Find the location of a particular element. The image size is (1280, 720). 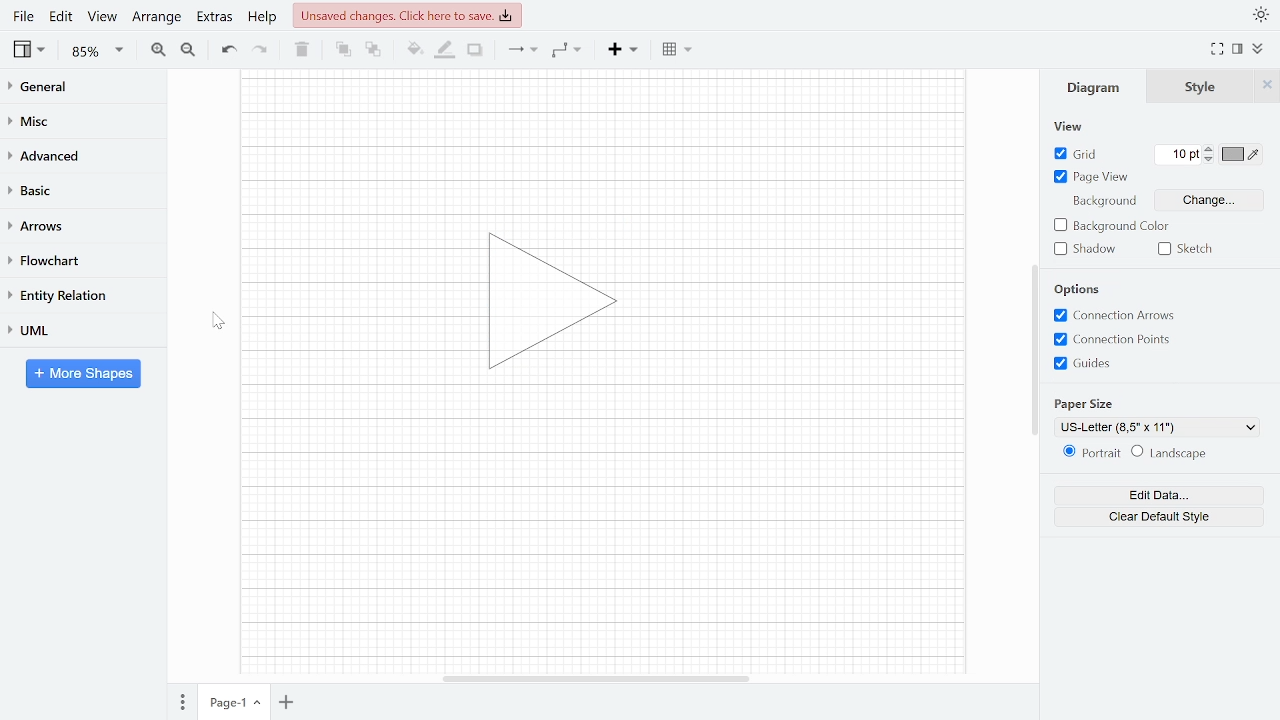

Edit is located at coordinates (62, 16).